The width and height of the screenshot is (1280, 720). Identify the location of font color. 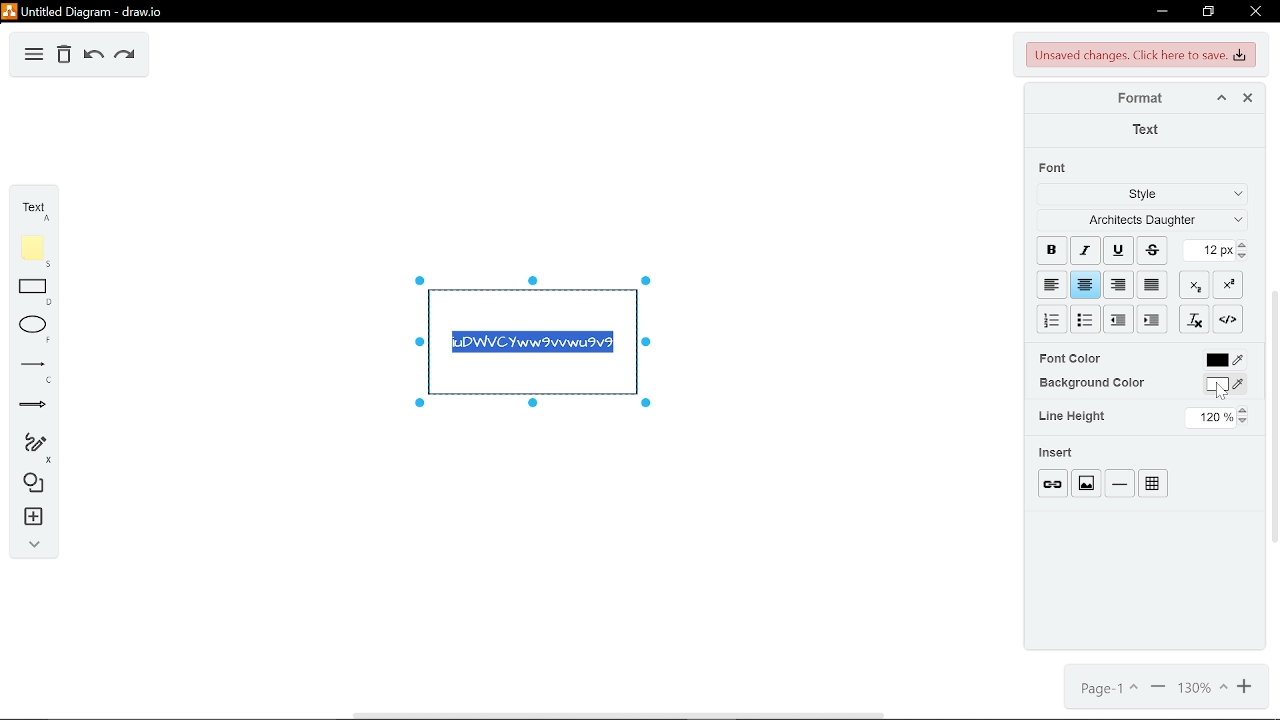
(1226, 360).